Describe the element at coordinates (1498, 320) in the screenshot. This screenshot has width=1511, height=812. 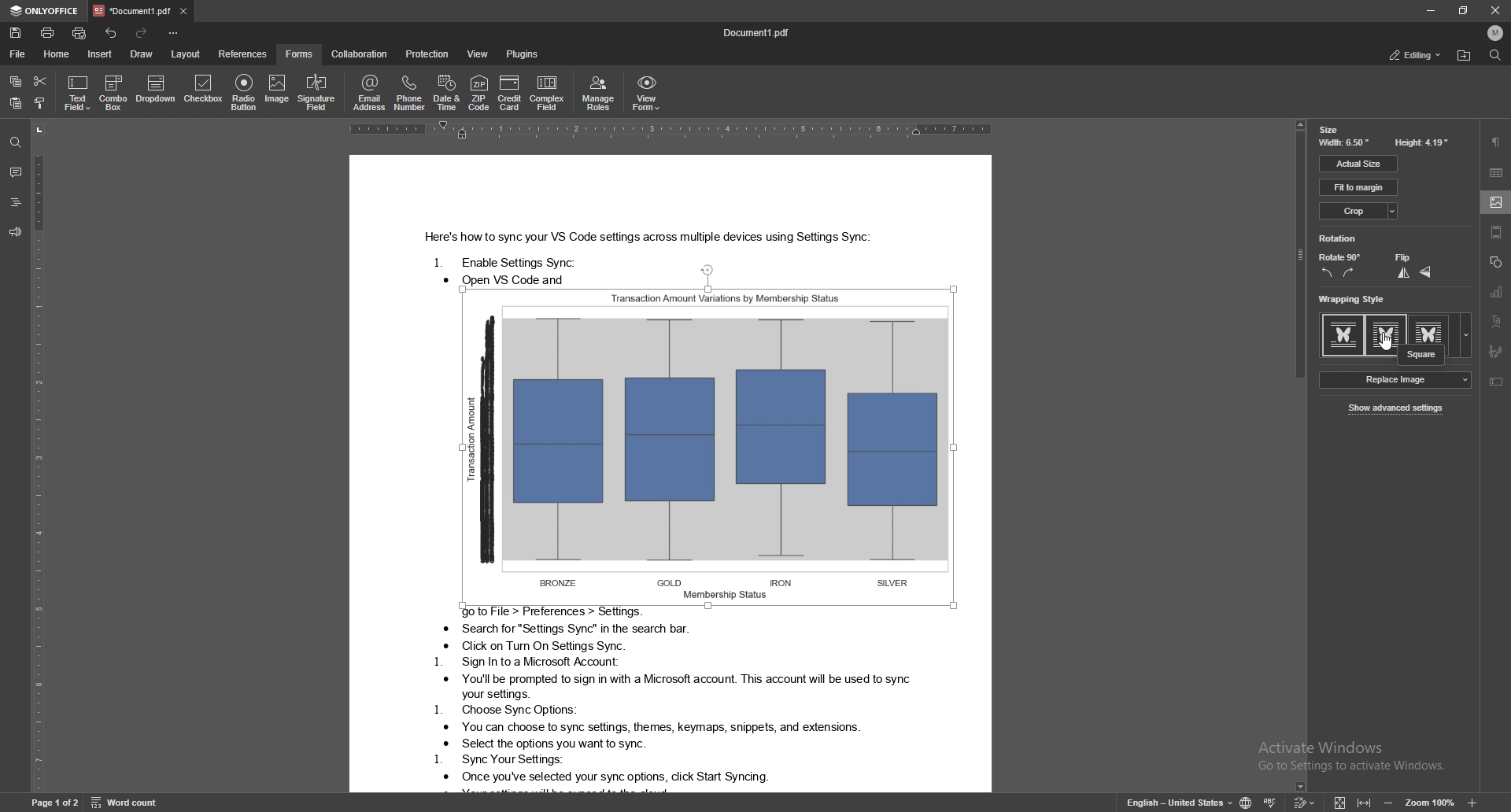
I see `text art` at that location.